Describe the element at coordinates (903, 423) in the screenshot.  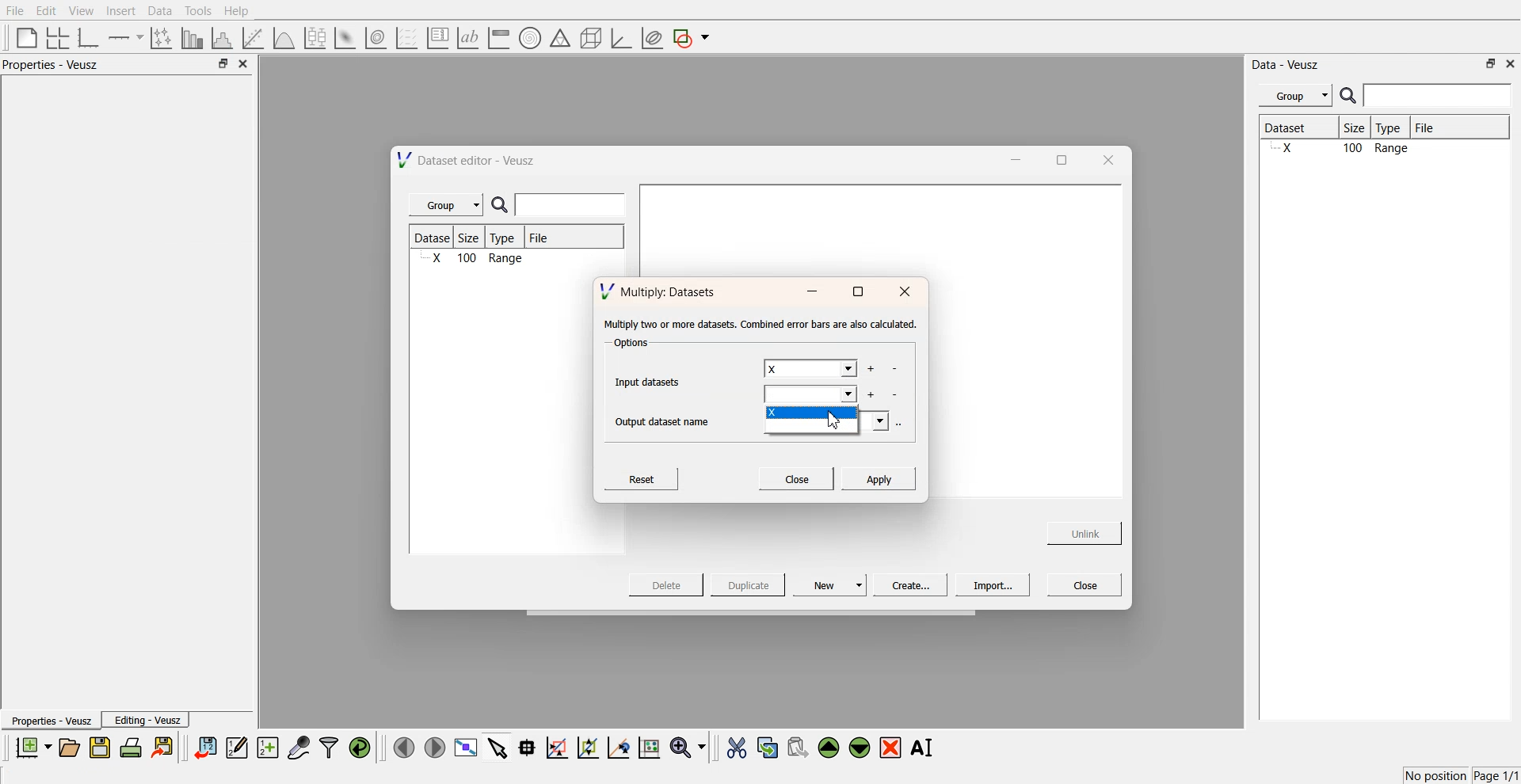
I see `more options` at that location.